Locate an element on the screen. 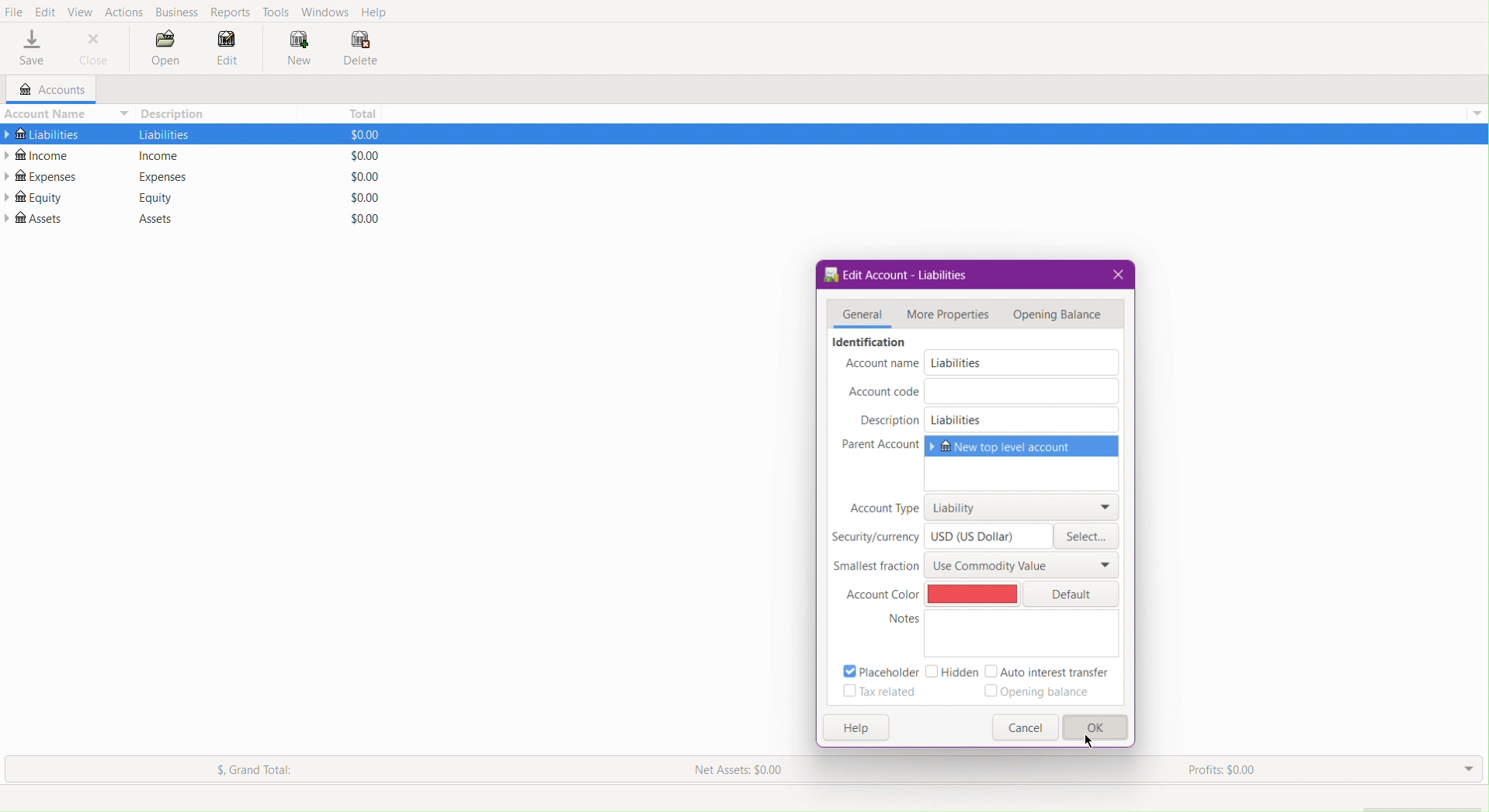 The width and height of the screenshot is (1489, 812). Account Color is located at coordinates (881, 595).